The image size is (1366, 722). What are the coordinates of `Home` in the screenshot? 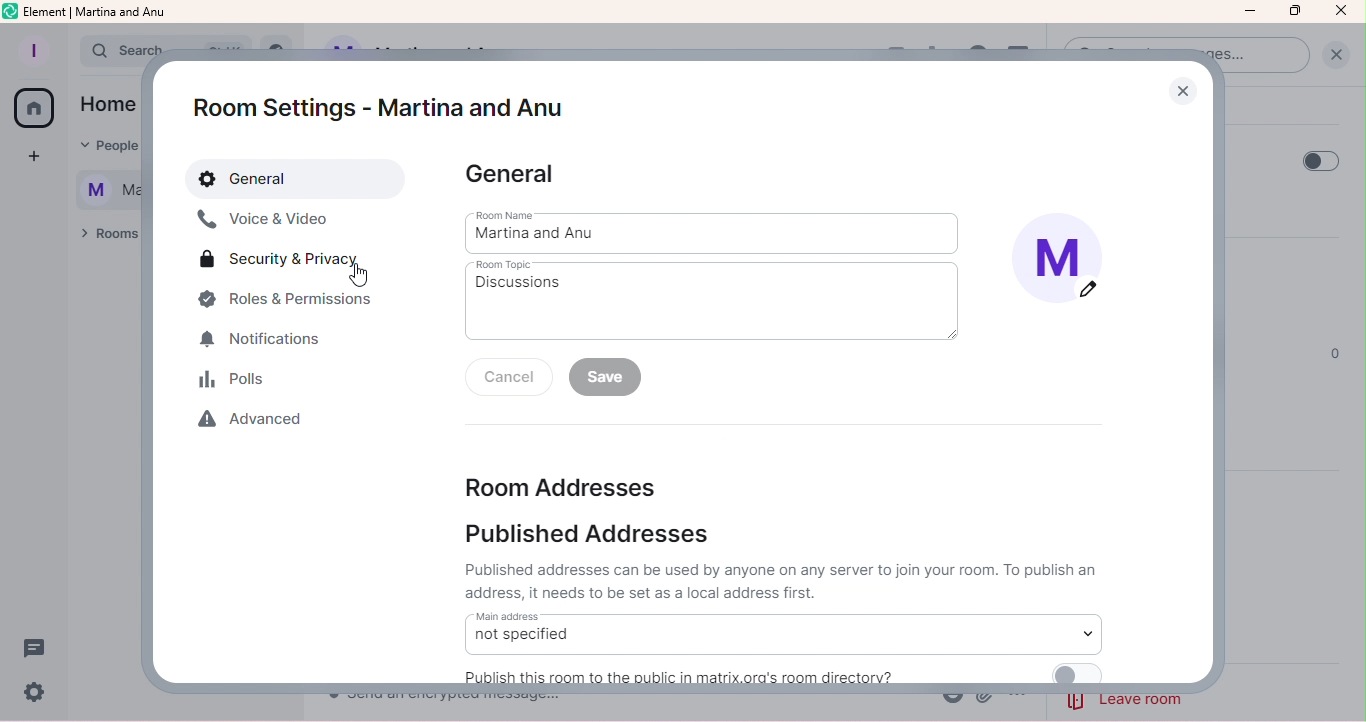 It's located at (33, 109).